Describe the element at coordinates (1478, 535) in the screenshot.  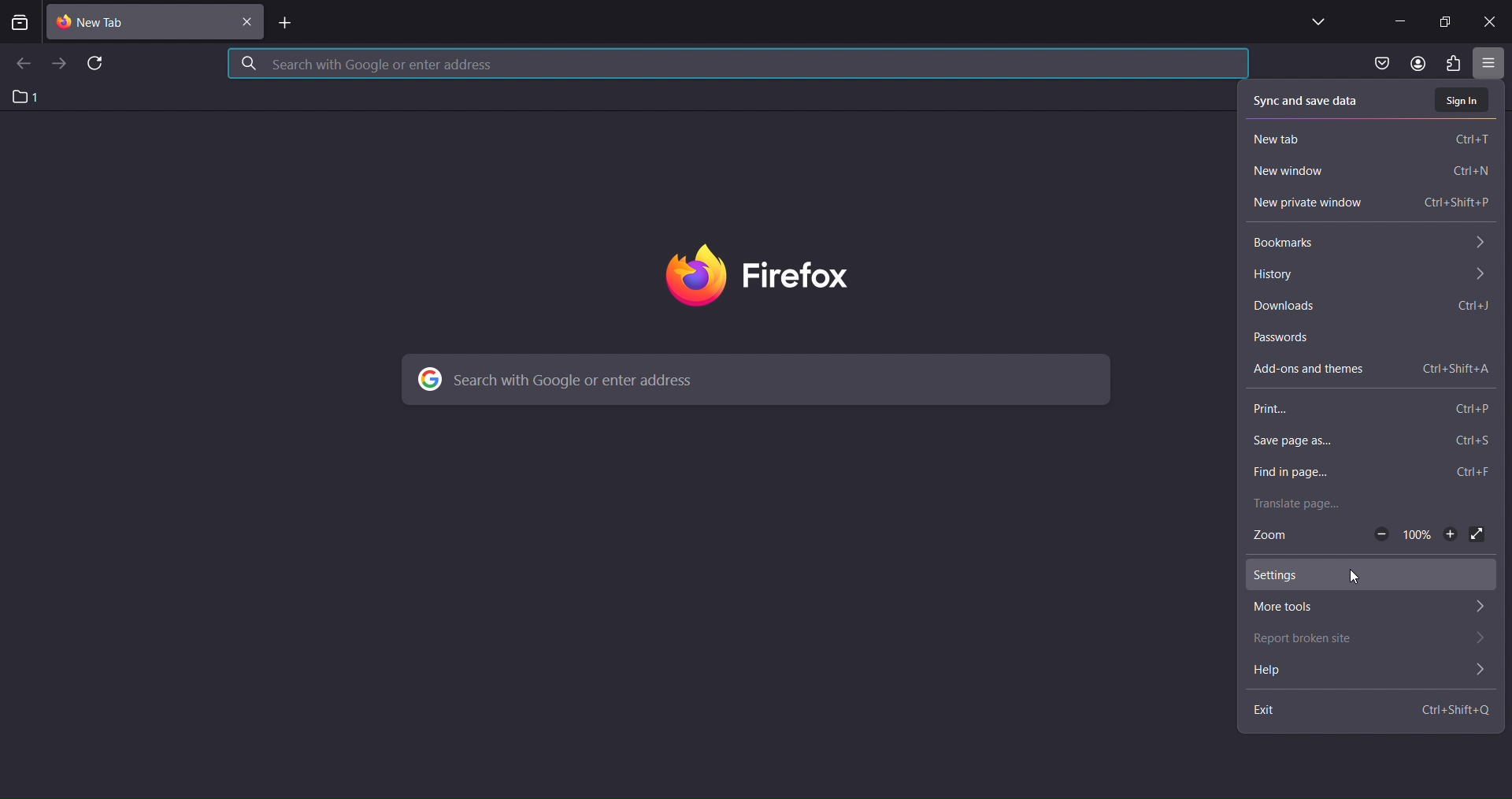
I see `display full screen` at that location.